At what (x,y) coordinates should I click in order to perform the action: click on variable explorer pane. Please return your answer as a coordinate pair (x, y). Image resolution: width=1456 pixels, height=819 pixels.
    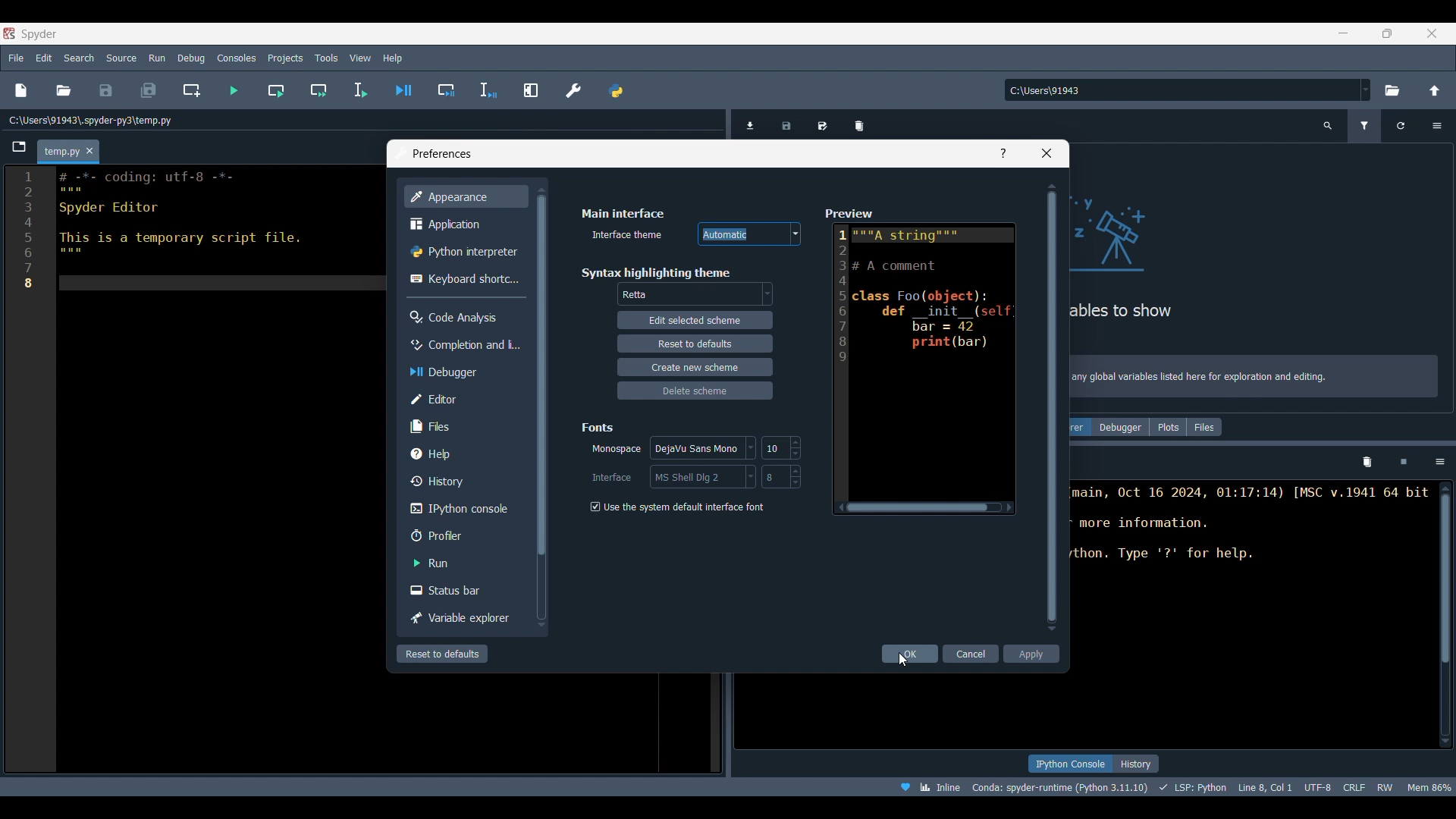
    Looking at the image, I should click on (1256, 249).